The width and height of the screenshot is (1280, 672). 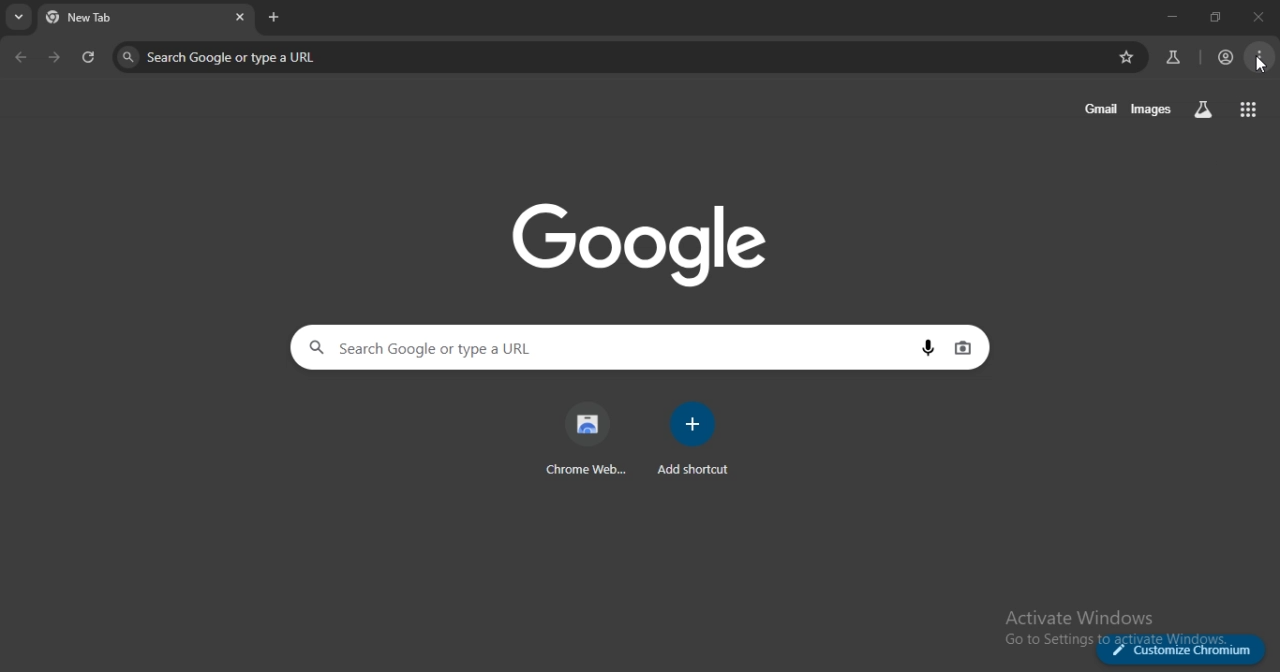 What do you see at coordinates (1262, 66) in the screenshot?
I see `cursor` at bounding box center [1262, 66].